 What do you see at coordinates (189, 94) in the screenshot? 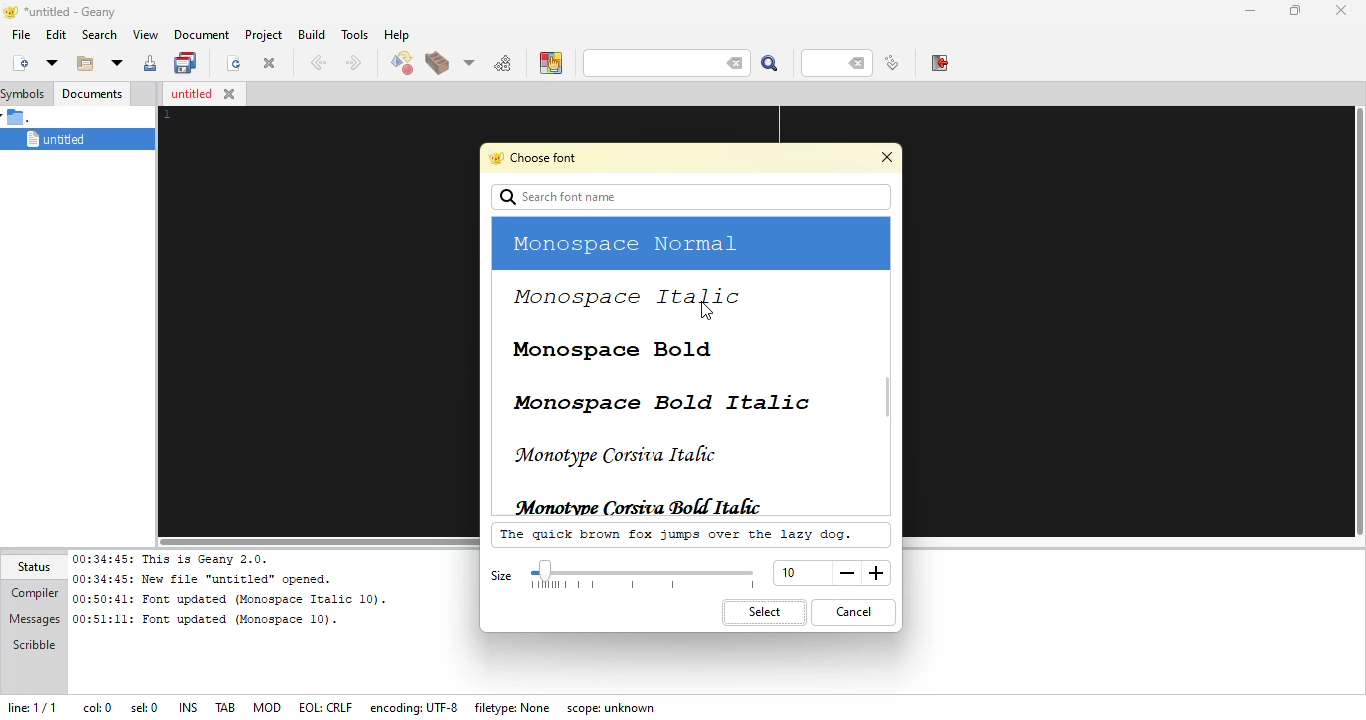
I see `untitled` at bounding box center [189, 94].